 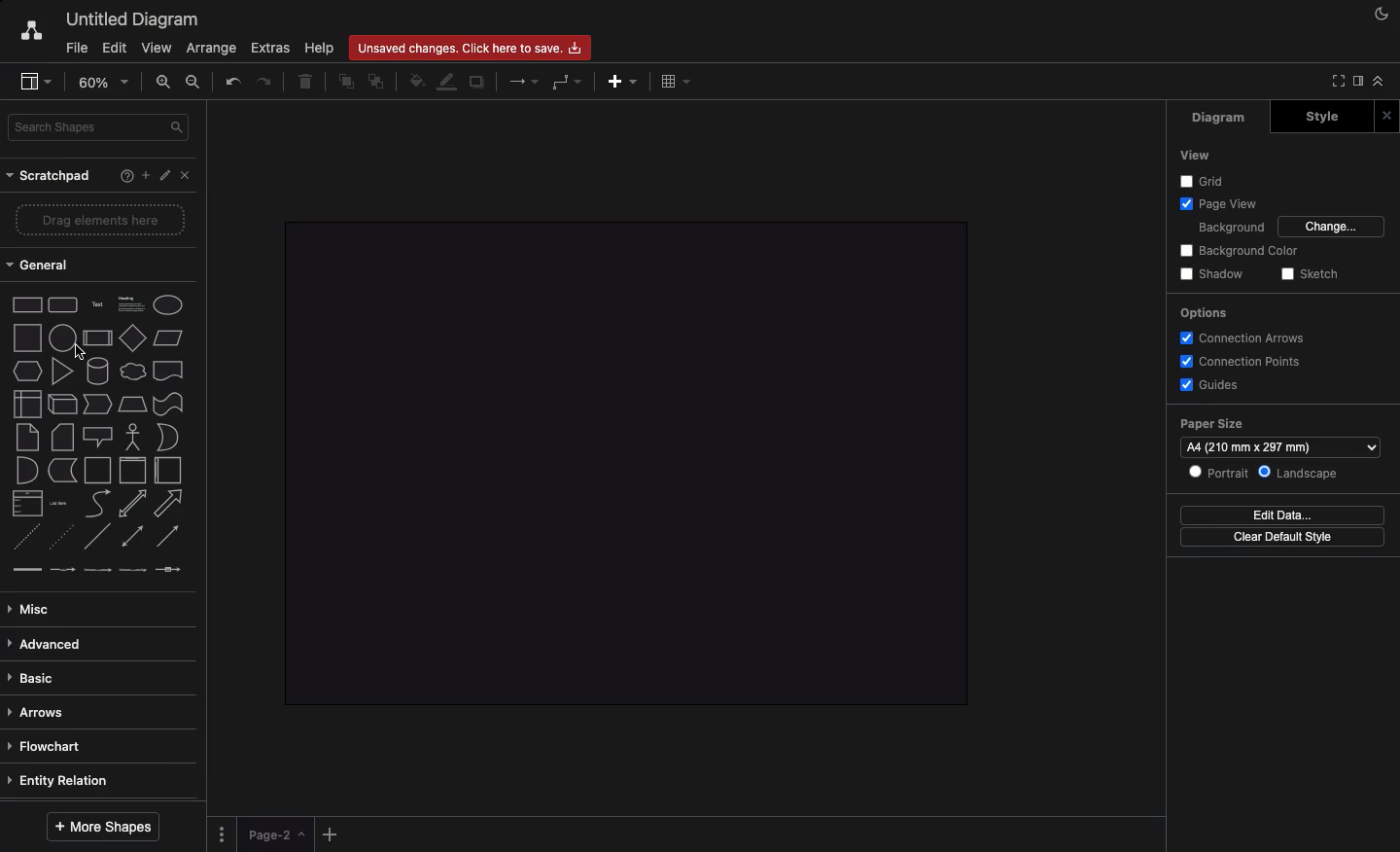 I want to click on Arrange, so click(x=212, y=49).